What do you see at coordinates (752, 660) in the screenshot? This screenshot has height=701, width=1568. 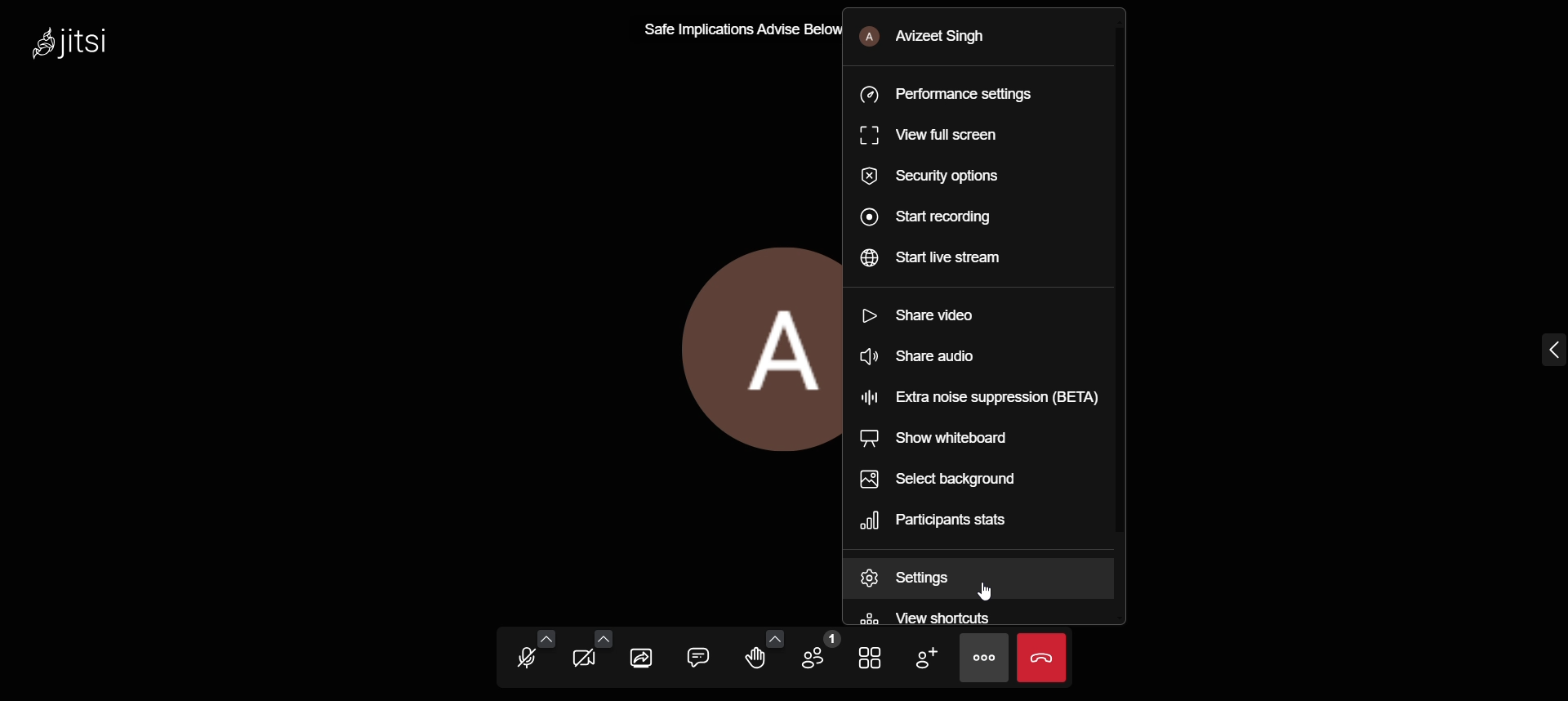 I see `raise your hand` at bounding box center [752, 660].